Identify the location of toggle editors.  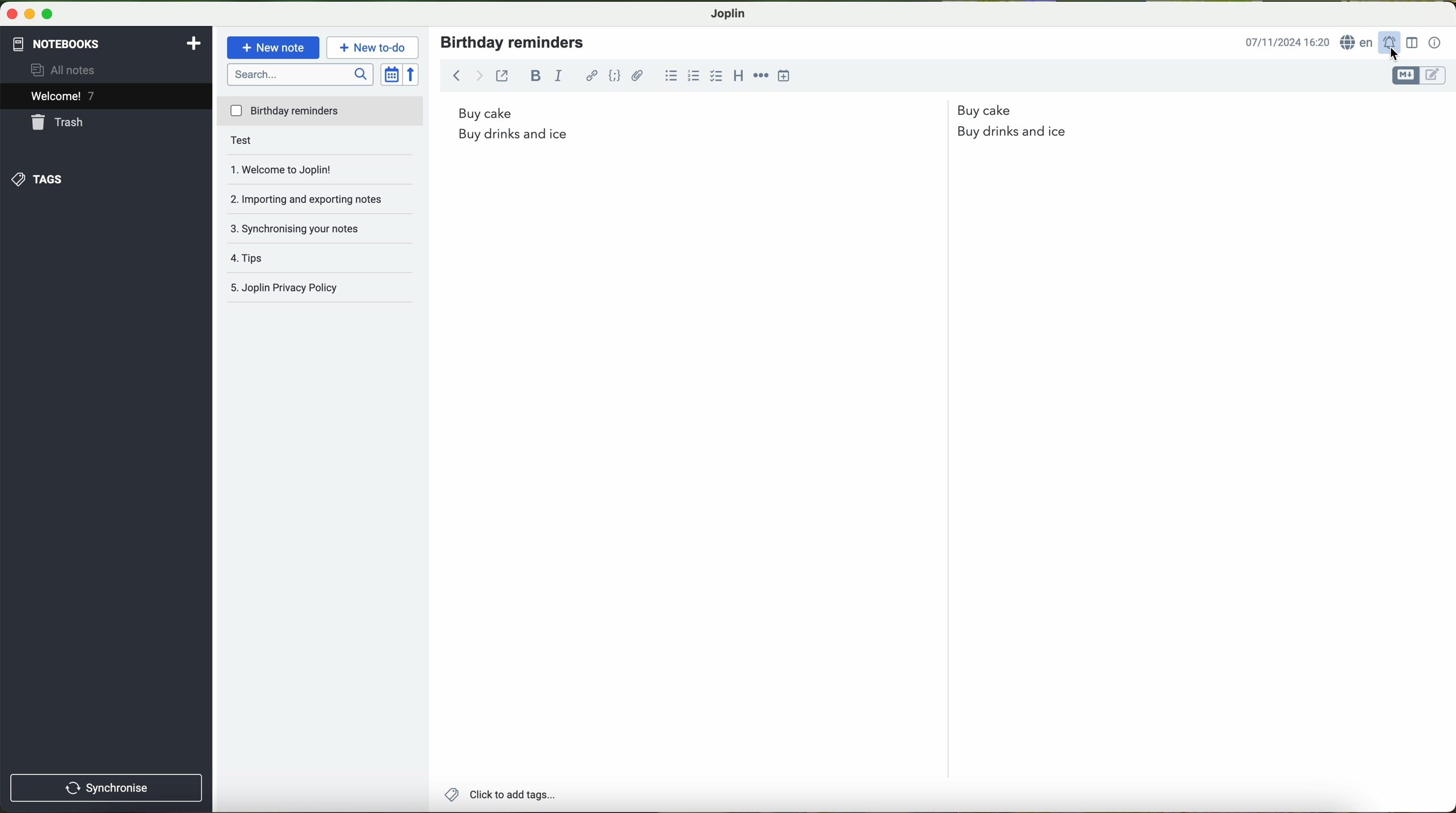
(1420, 76).